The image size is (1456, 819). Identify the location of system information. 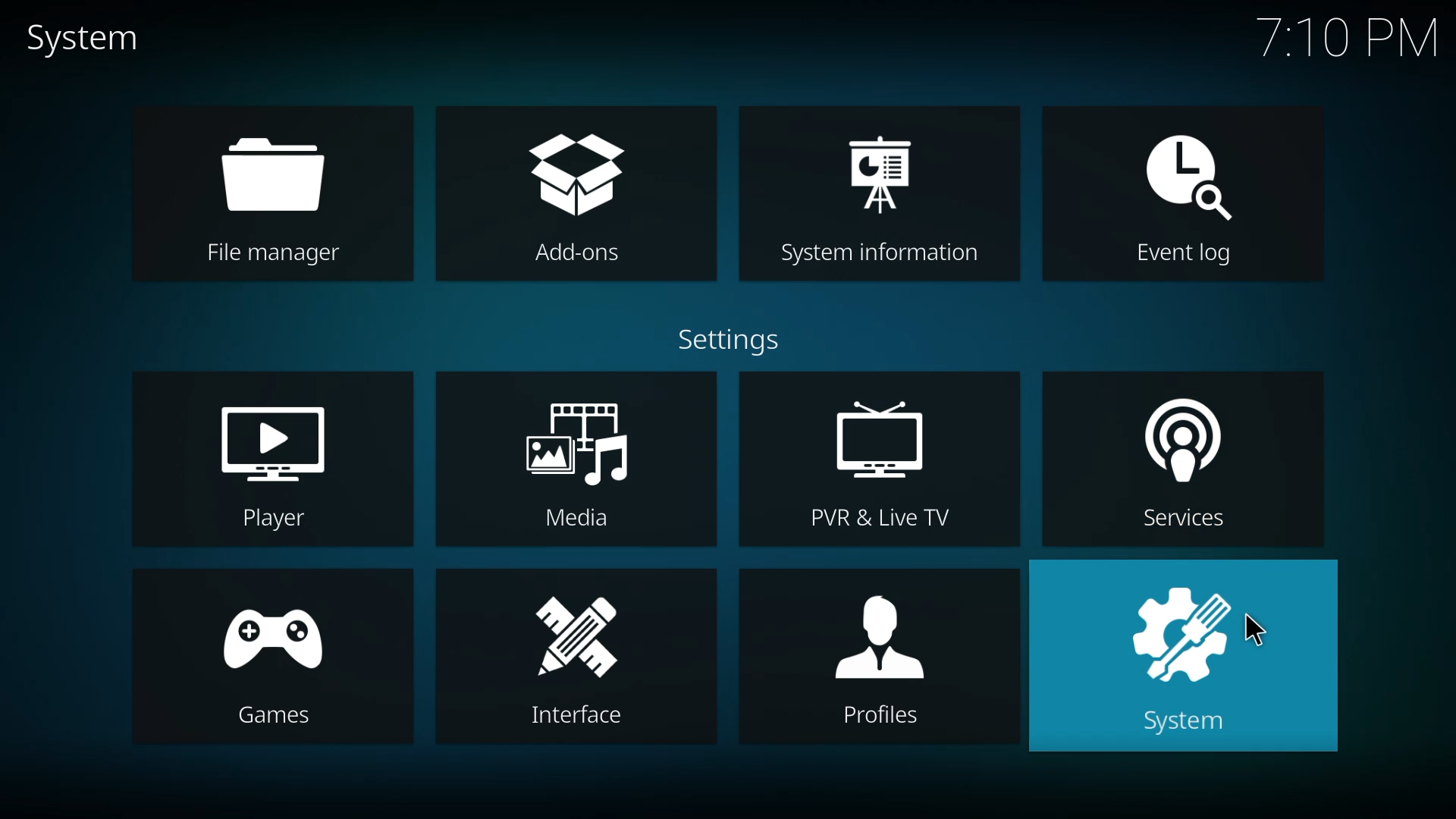
(895, 196).